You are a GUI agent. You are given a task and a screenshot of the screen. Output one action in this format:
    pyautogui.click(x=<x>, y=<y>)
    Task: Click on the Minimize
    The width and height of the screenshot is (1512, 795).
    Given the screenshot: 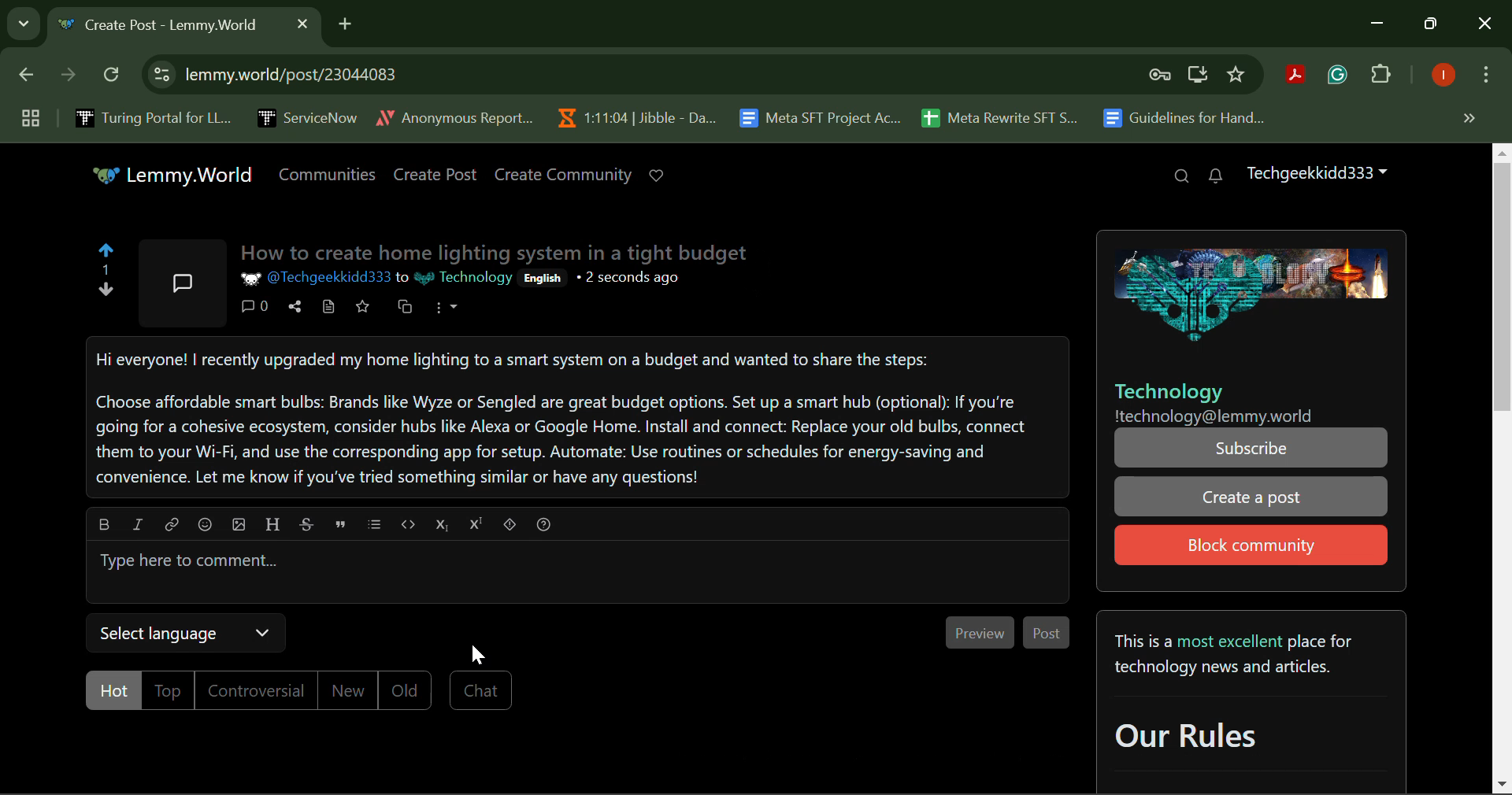 What is the action you would take?
    pyautogui.click(x=1433, y=24)
    